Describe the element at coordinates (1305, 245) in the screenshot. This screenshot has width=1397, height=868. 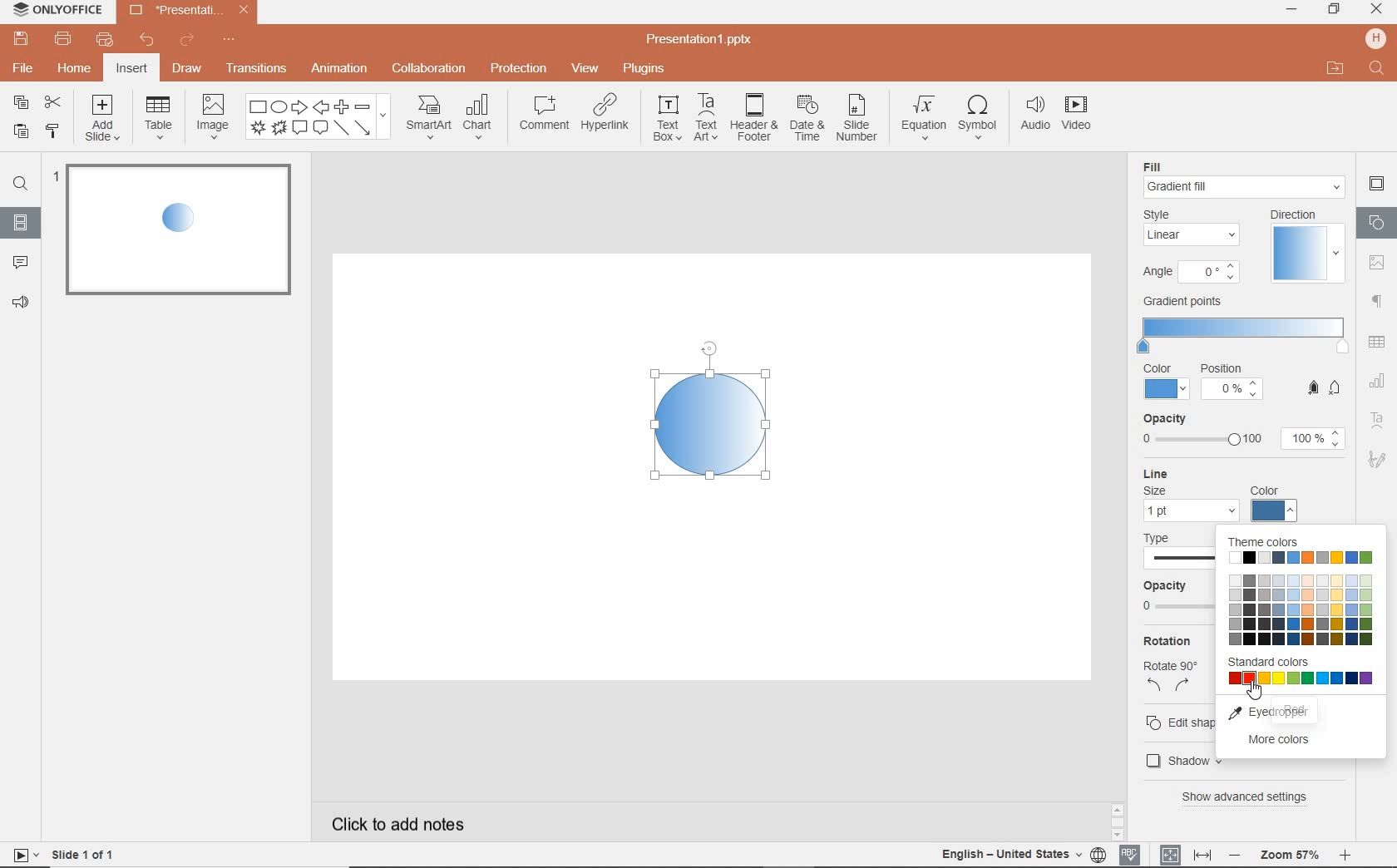
I see `direction` at that location.